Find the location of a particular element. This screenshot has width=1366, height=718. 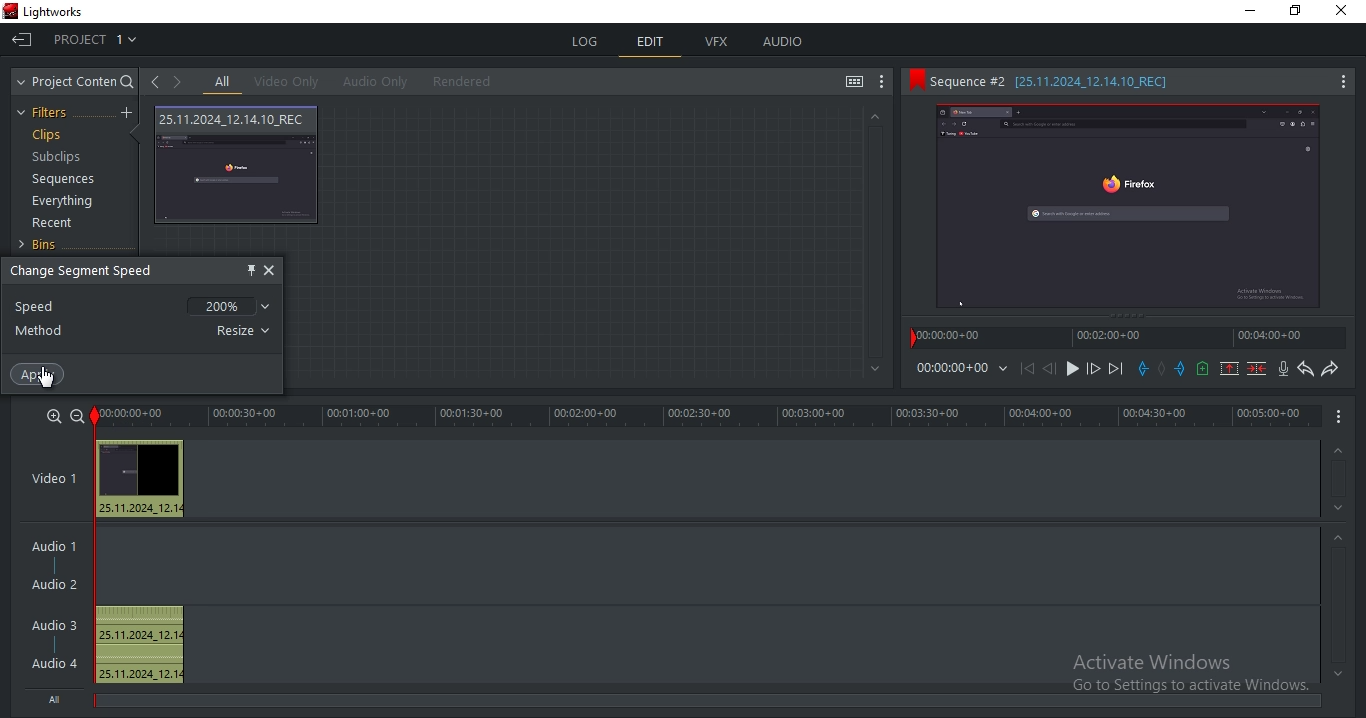

timeline is located at coordinates (707, 416).